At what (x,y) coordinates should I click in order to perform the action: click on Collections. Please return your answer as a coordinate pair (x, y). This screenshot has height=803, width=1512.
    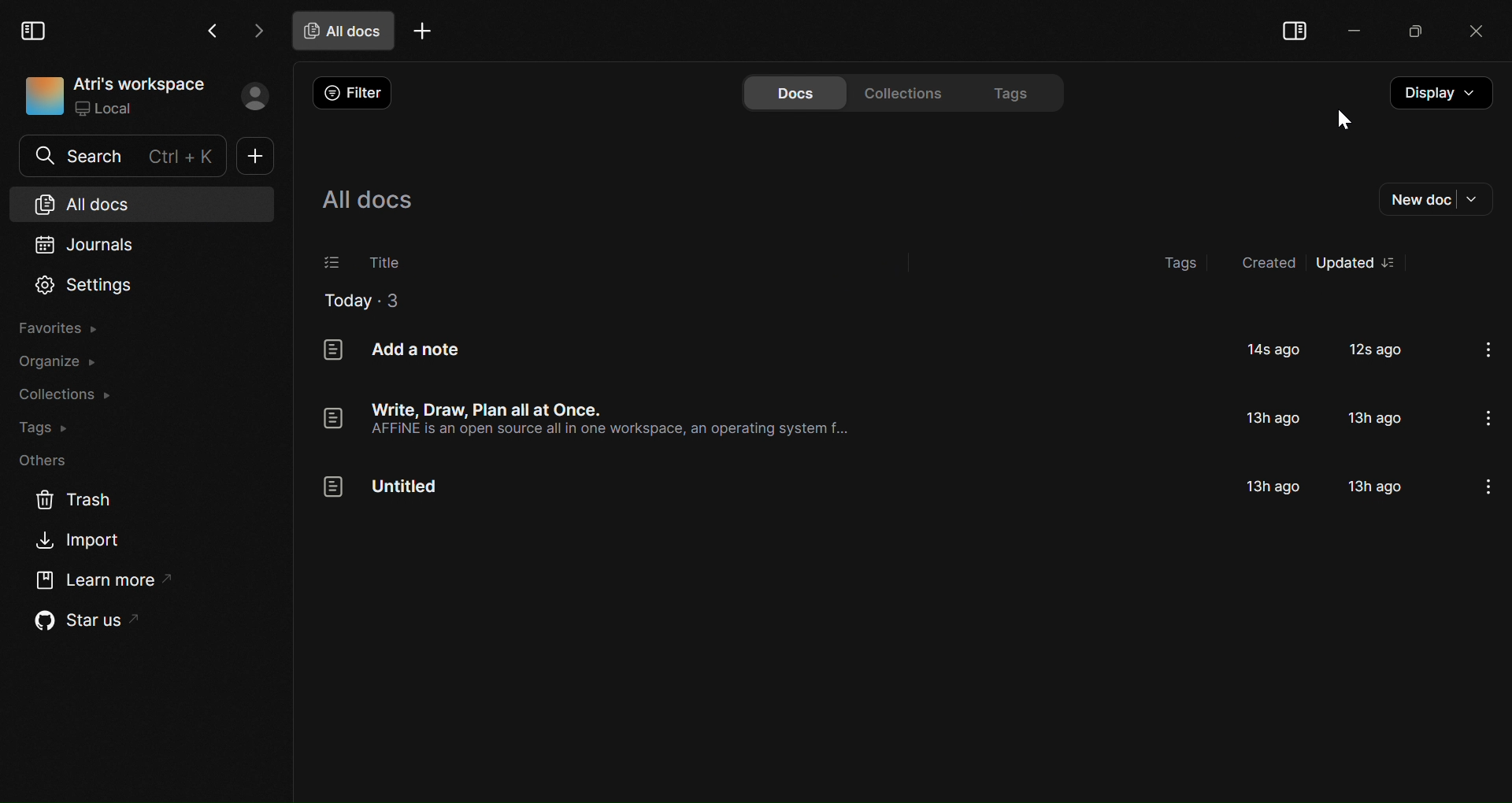
    Looking at the image, I should click on (65, 396).